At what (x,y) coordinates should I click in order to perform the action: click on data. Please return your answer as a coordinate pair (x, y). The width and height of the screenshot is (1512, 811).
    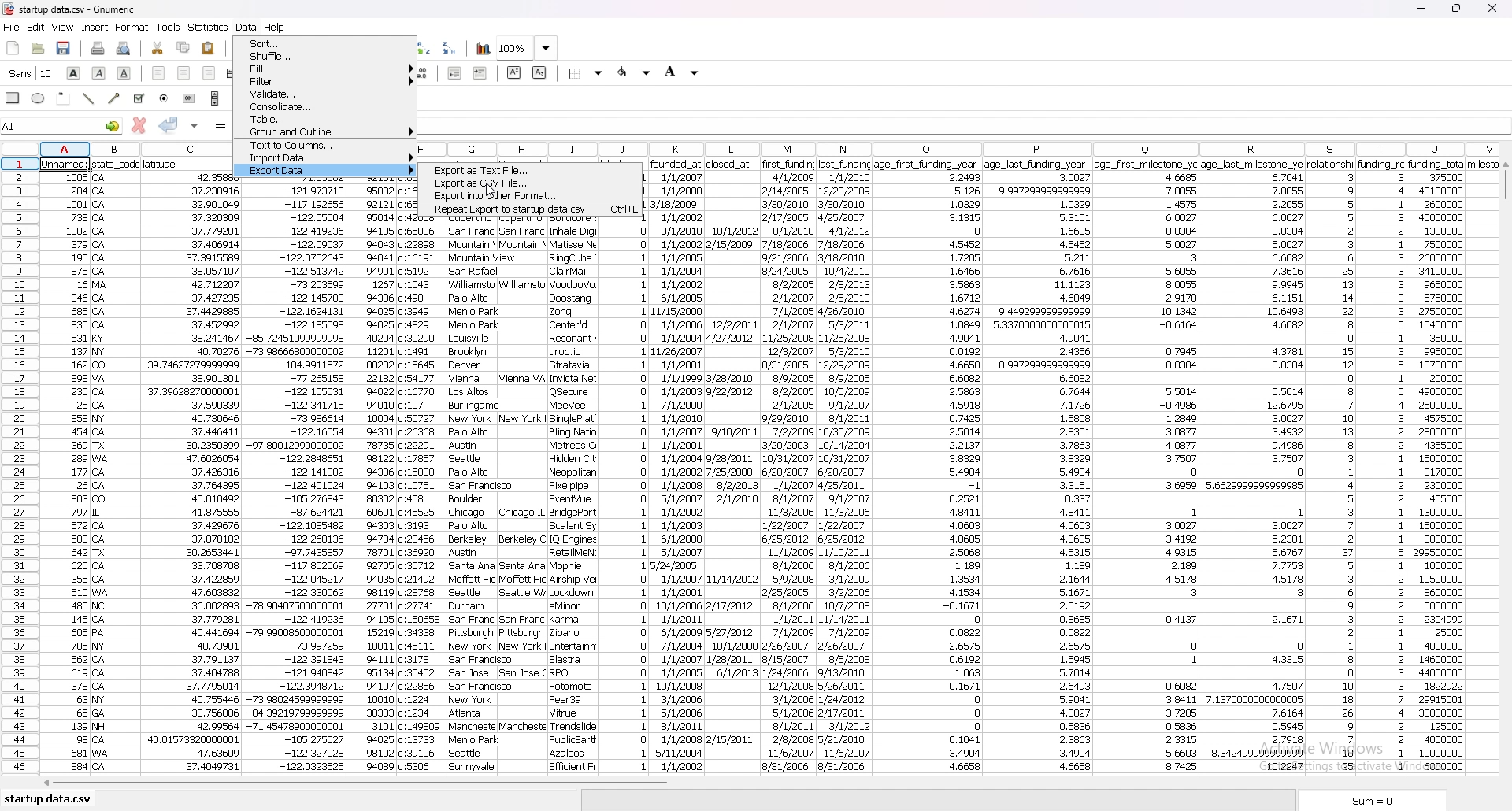
    Looking at the image, I should click on (844, 464).